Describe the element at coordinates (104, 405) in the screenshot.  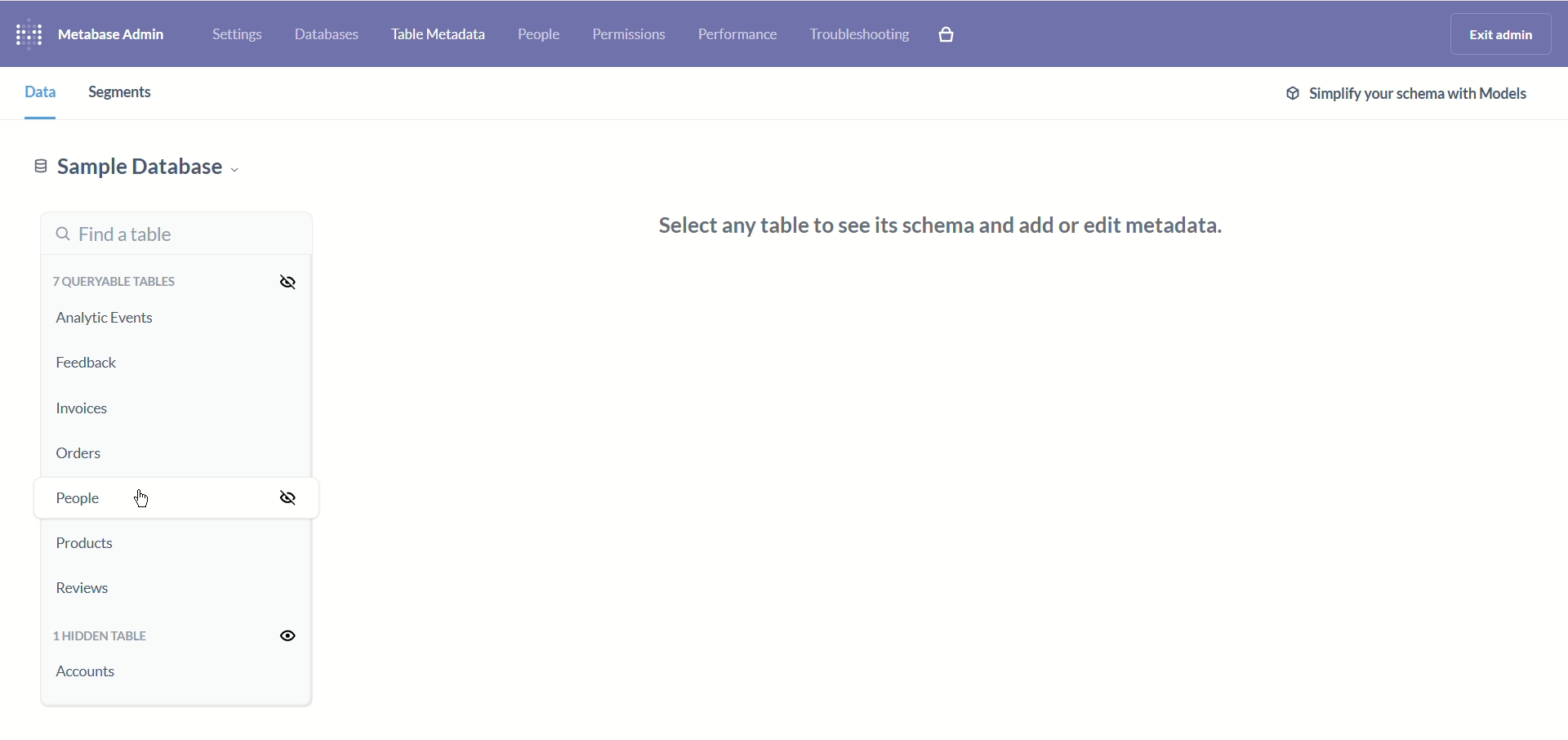
I see `Invoices` at that location.